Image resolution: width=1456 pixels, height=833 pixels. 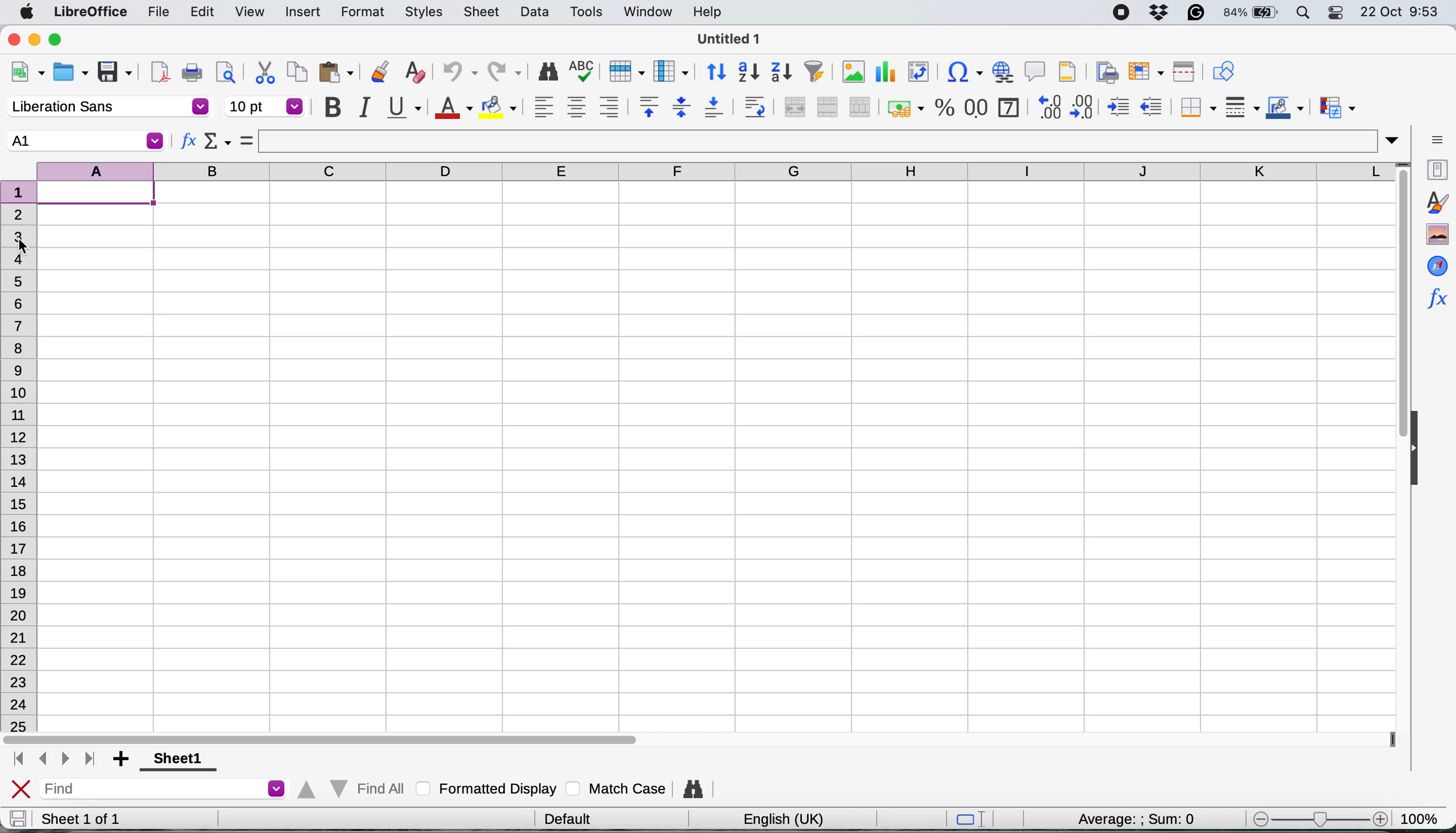 I want to click on align right, so click(x=608, y=107).